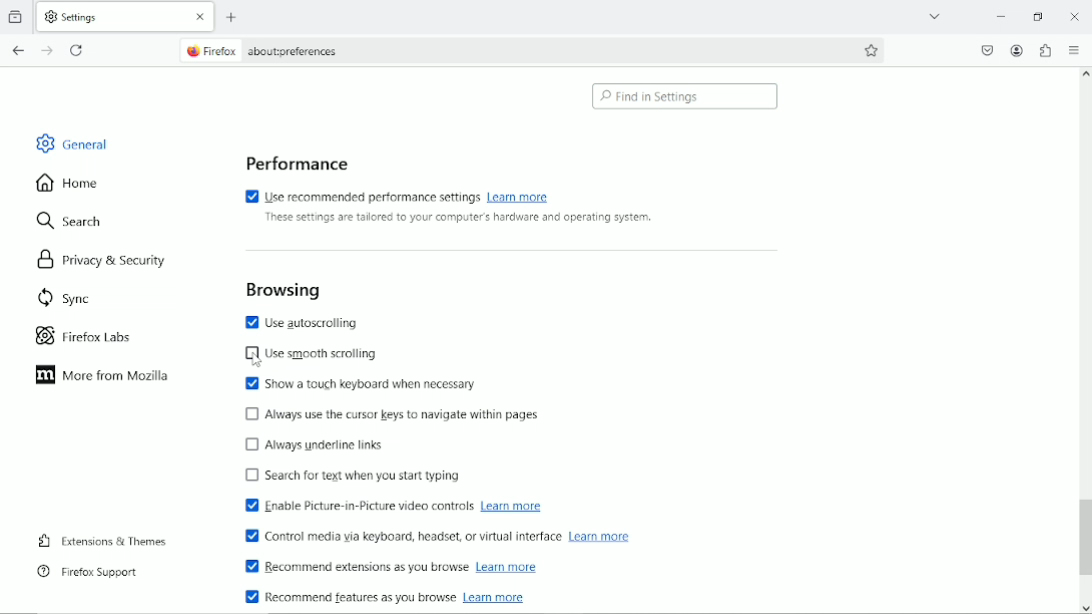 The image size is (1092, 614). Describe the element at coordinates (282, 288) in the screenshot. I see `Browsing` at that location.